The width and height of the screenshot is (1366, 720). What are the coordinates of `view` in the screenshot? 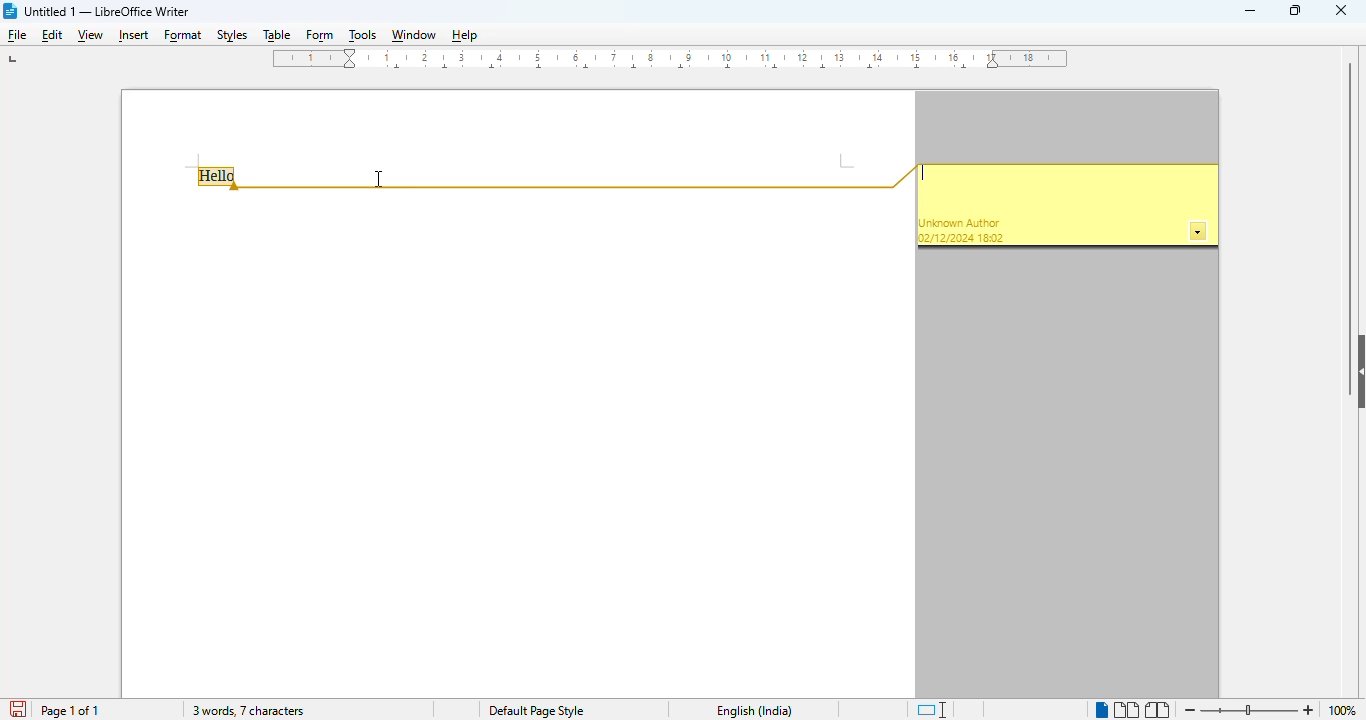 It's located at (90, 37).